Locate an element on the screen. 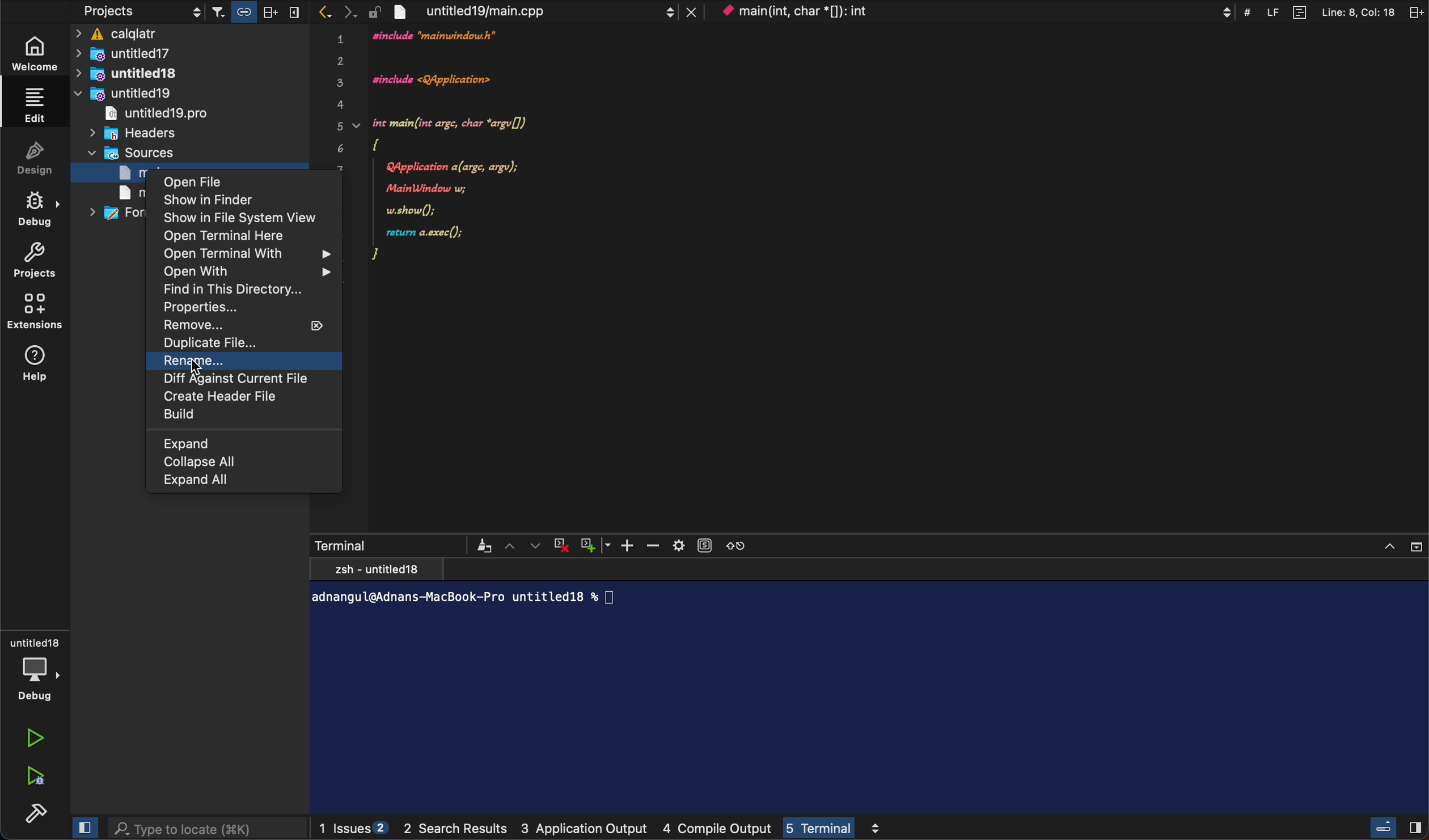 The height and width of the screenshot is (840, 1429). sources is located at coordinates (151, 154).